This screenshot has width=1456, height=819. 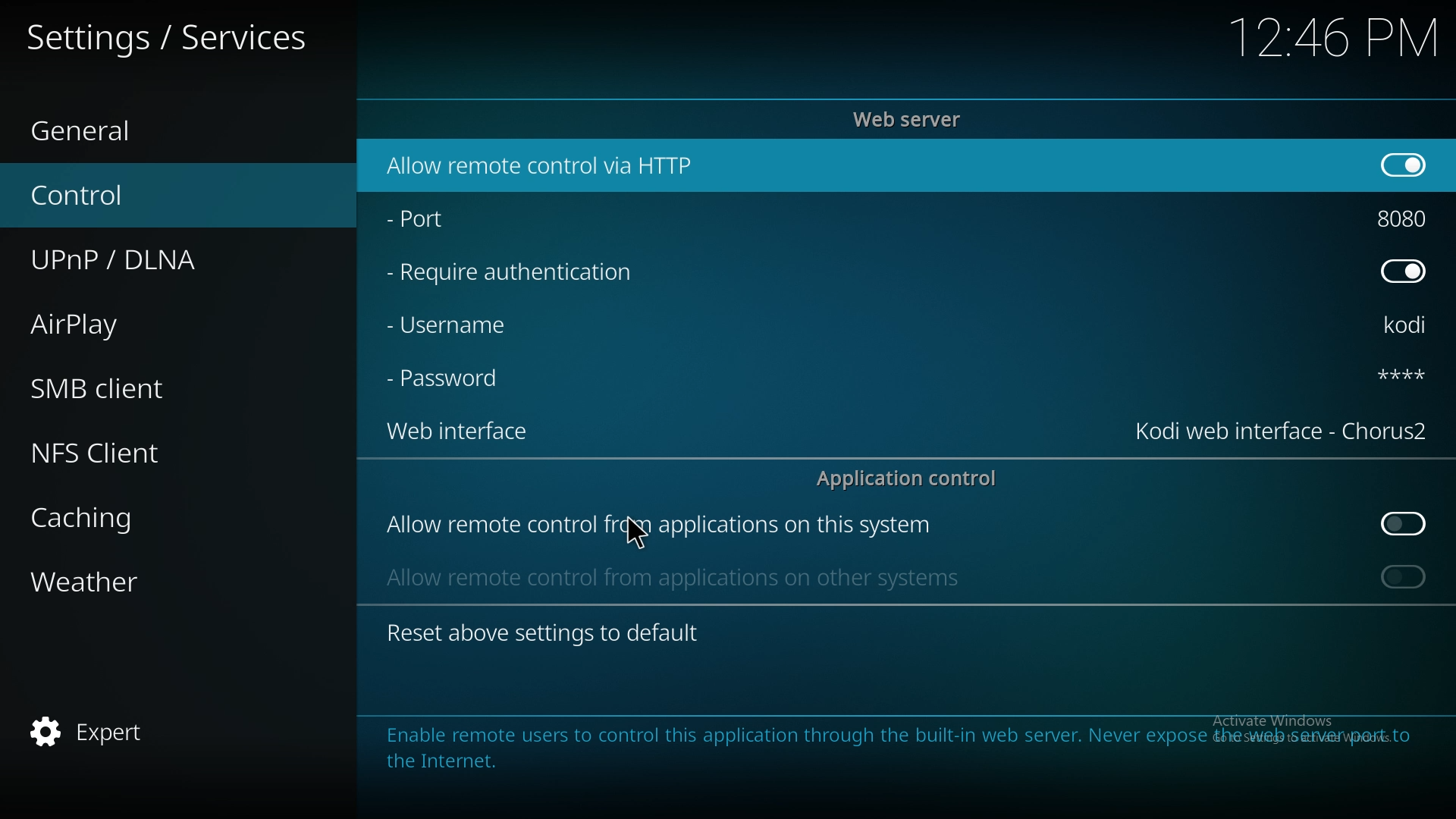 I want to click on services, so click(x=174, y=36).